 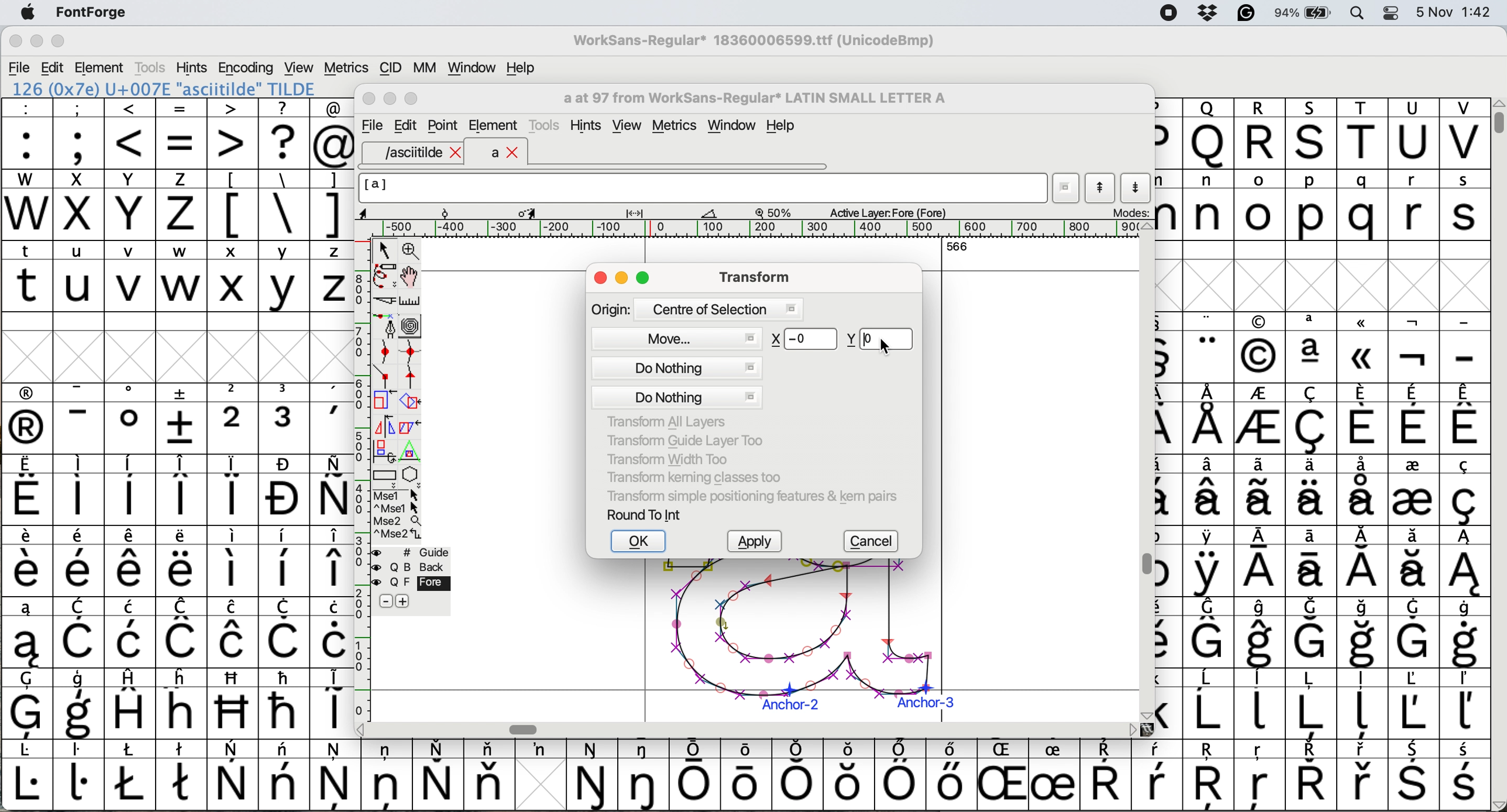 I want to click on transform simple positioning features and kern pairs, so click(x=749, y=498).